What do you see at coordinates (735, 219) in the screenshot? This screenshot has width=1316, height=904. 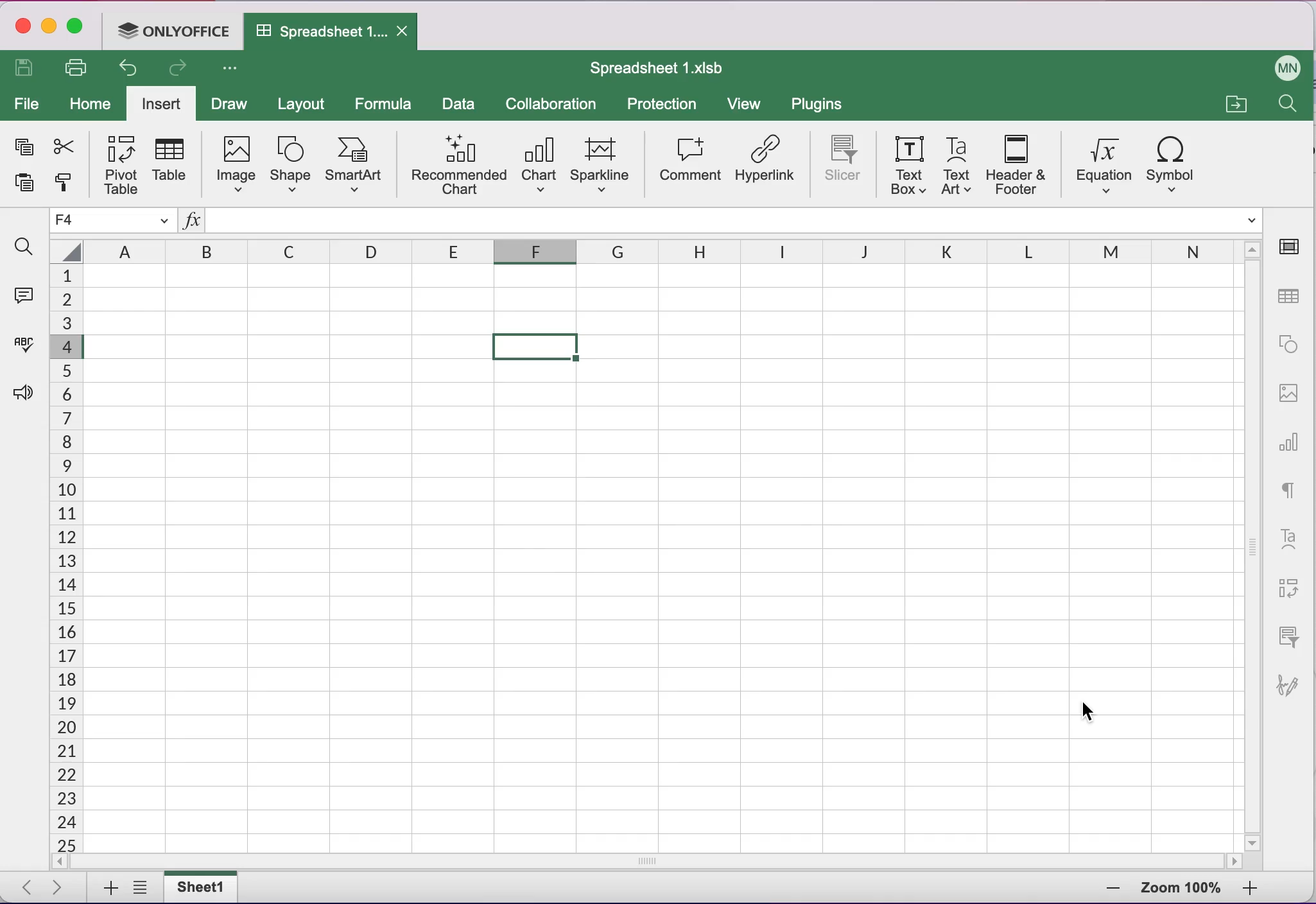 I see `formula bar` at bounding box center [735, 219].